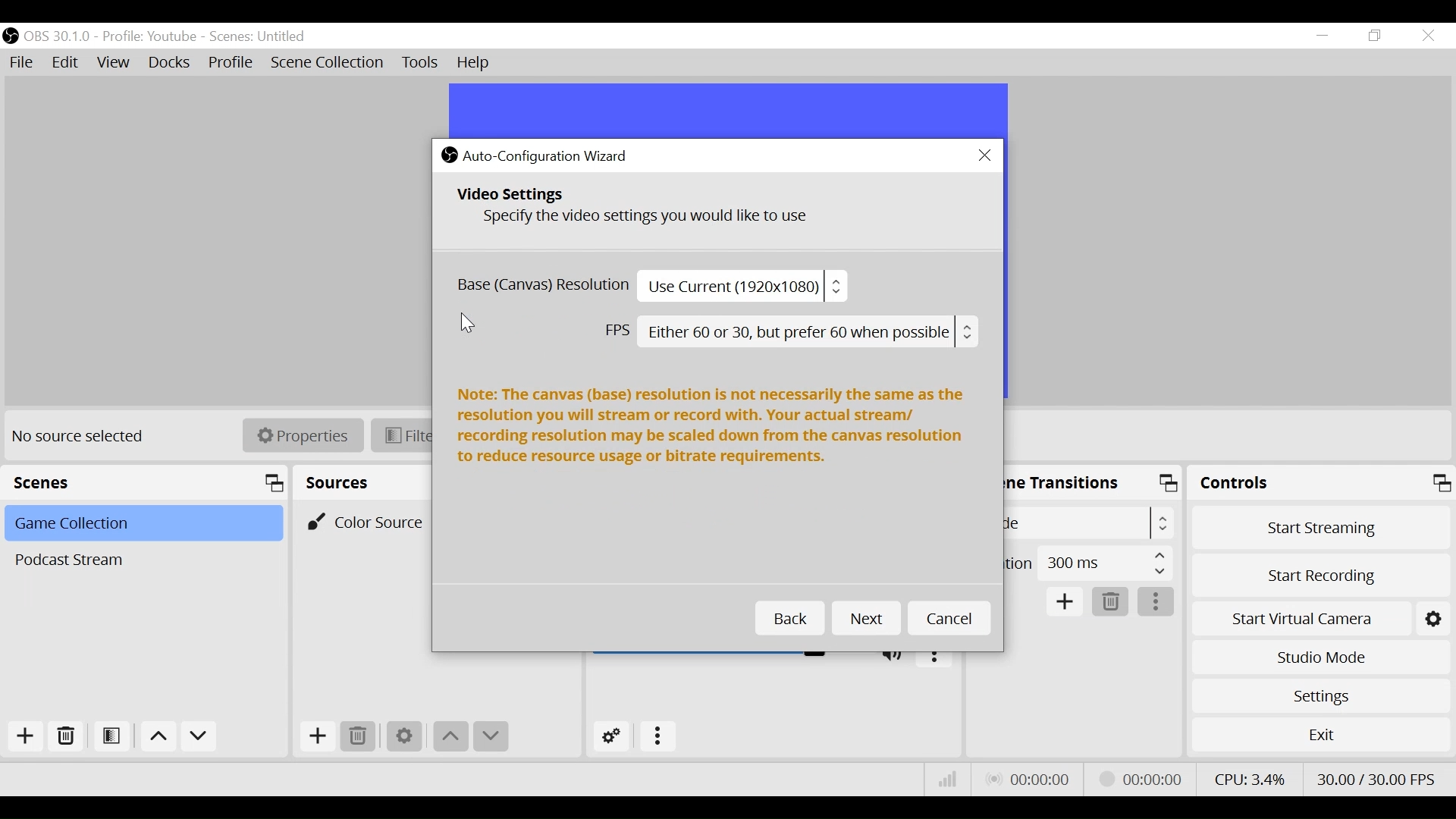 The width and height of the screenshot is (1456, 819). What do you see at coordinates (113, 63) in the screenshot?
I see `View` at bounding box center [113, 63].